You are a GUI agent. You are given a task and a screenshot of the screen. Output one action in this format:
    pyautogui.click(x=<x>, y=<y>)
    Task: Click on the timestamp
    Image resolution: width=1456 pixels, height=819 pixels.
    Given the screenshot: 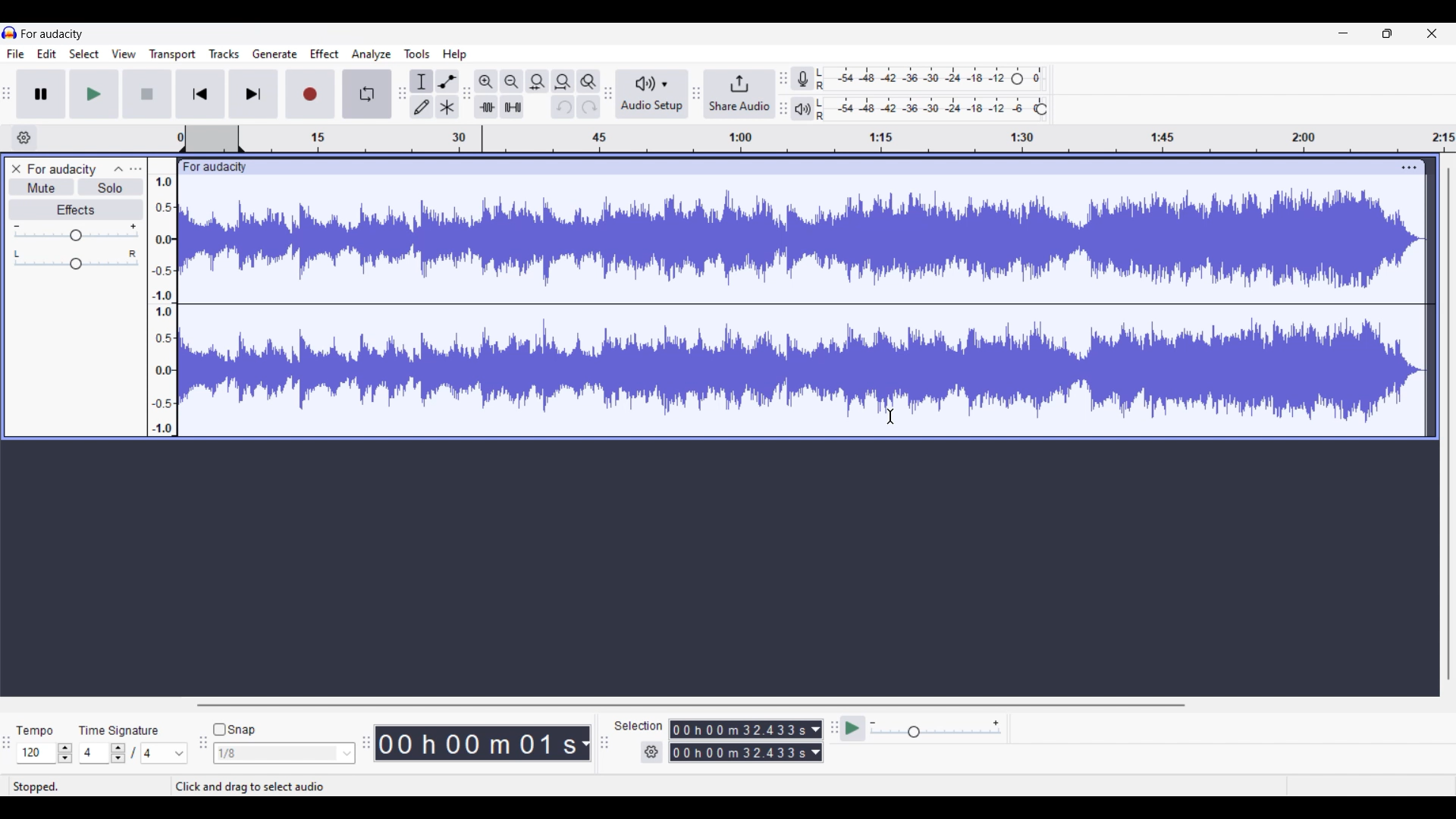 What is the action you would take?
    pyautogui.click(x=817, y=139)
    